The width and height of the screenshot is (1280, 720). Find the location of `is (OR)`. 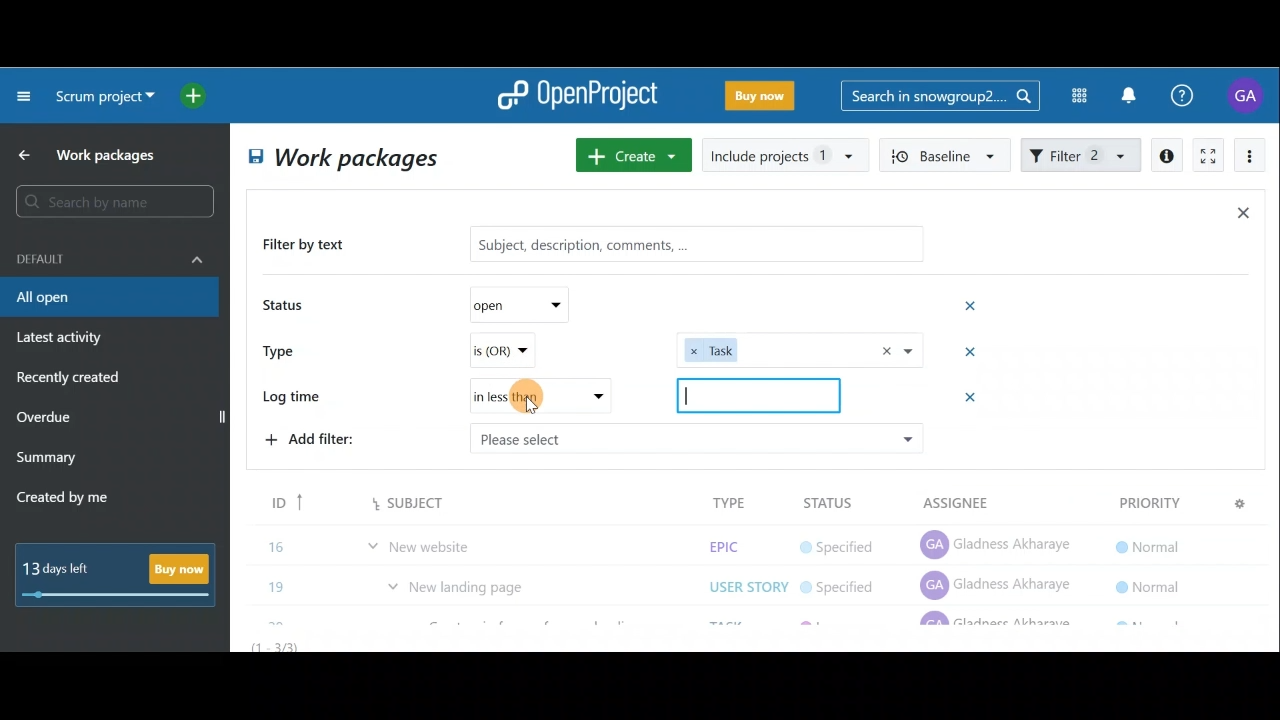

is (OR) is located at coordinates (525, 351).